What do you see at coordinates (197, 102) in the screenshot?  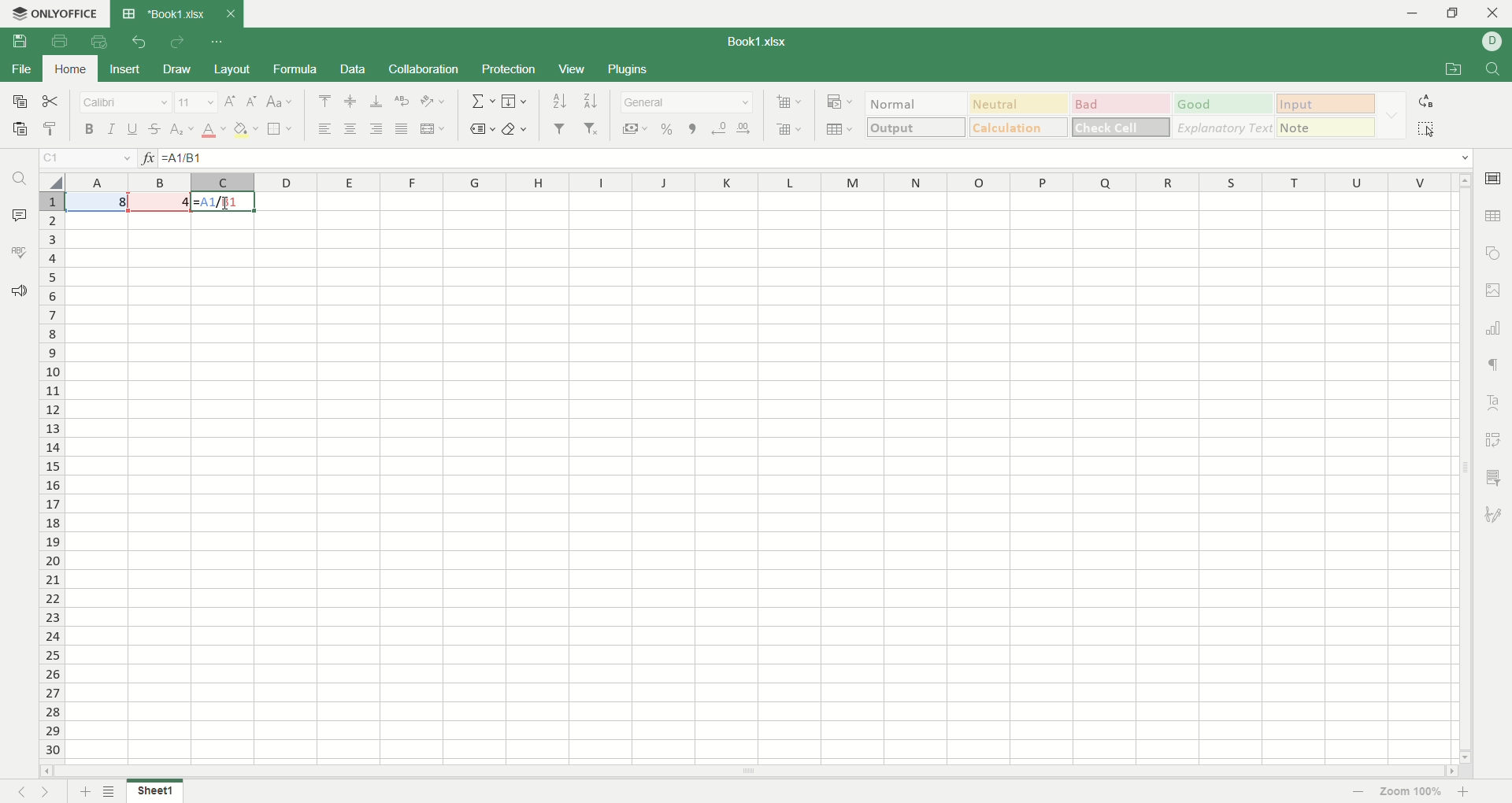 I see `font size` at bounding box center [197, 102].